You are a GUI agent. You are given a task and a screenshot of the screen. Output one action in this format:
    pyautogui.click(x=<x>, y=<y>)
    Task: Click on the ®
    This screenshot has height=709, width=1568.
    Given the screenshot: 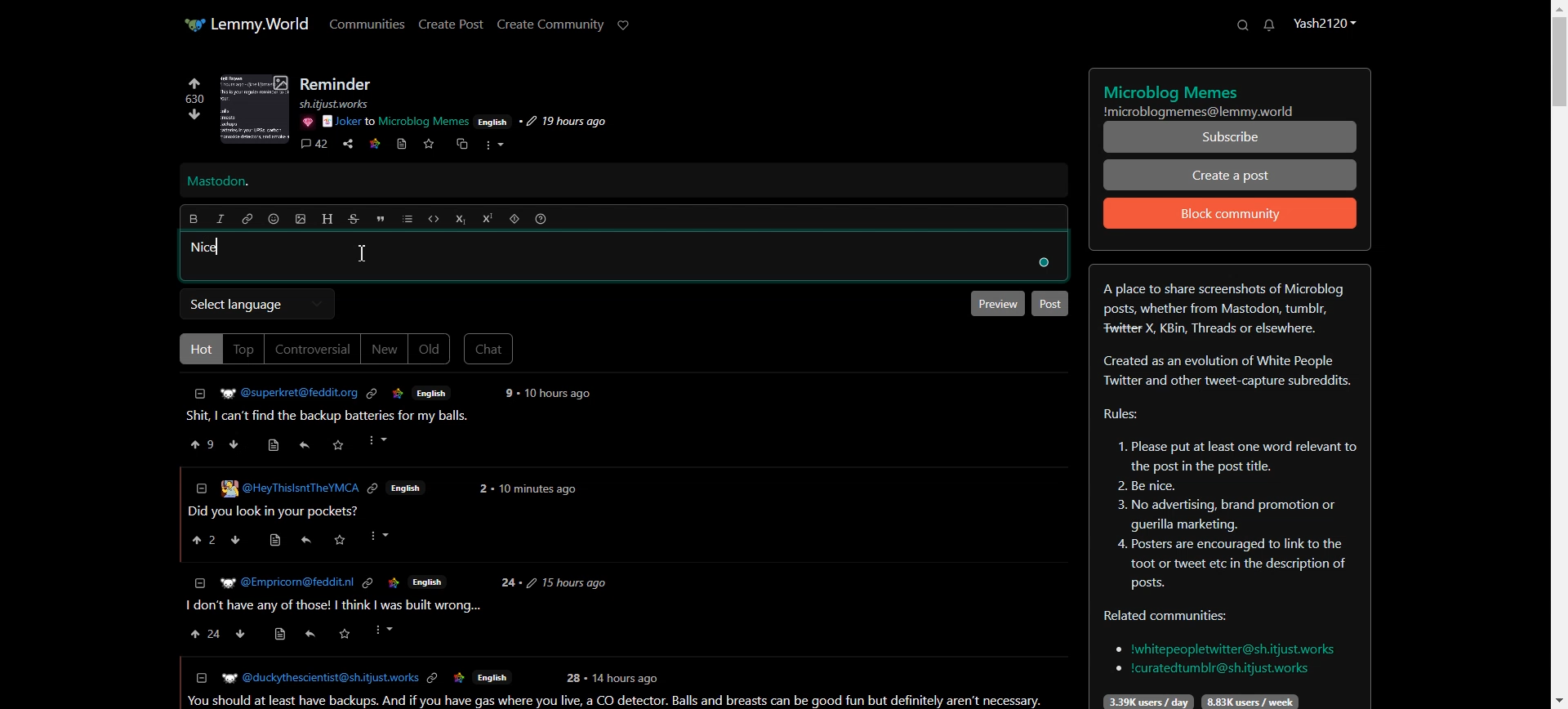 What is the action you would take?
    pyautogui.click(x=200, y=486)
    